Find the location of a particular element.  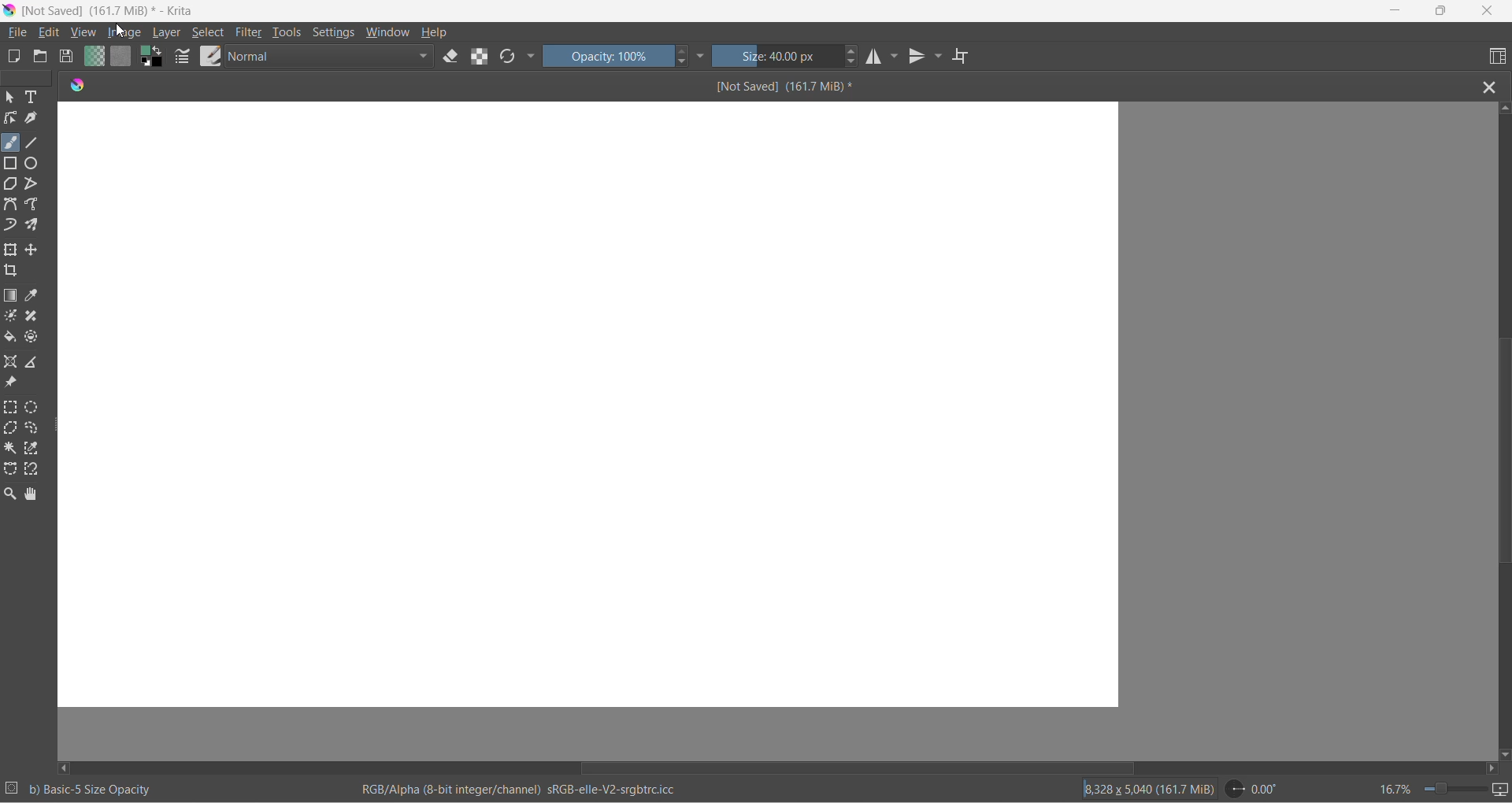

maximize is located at coordinates (1440, 11).